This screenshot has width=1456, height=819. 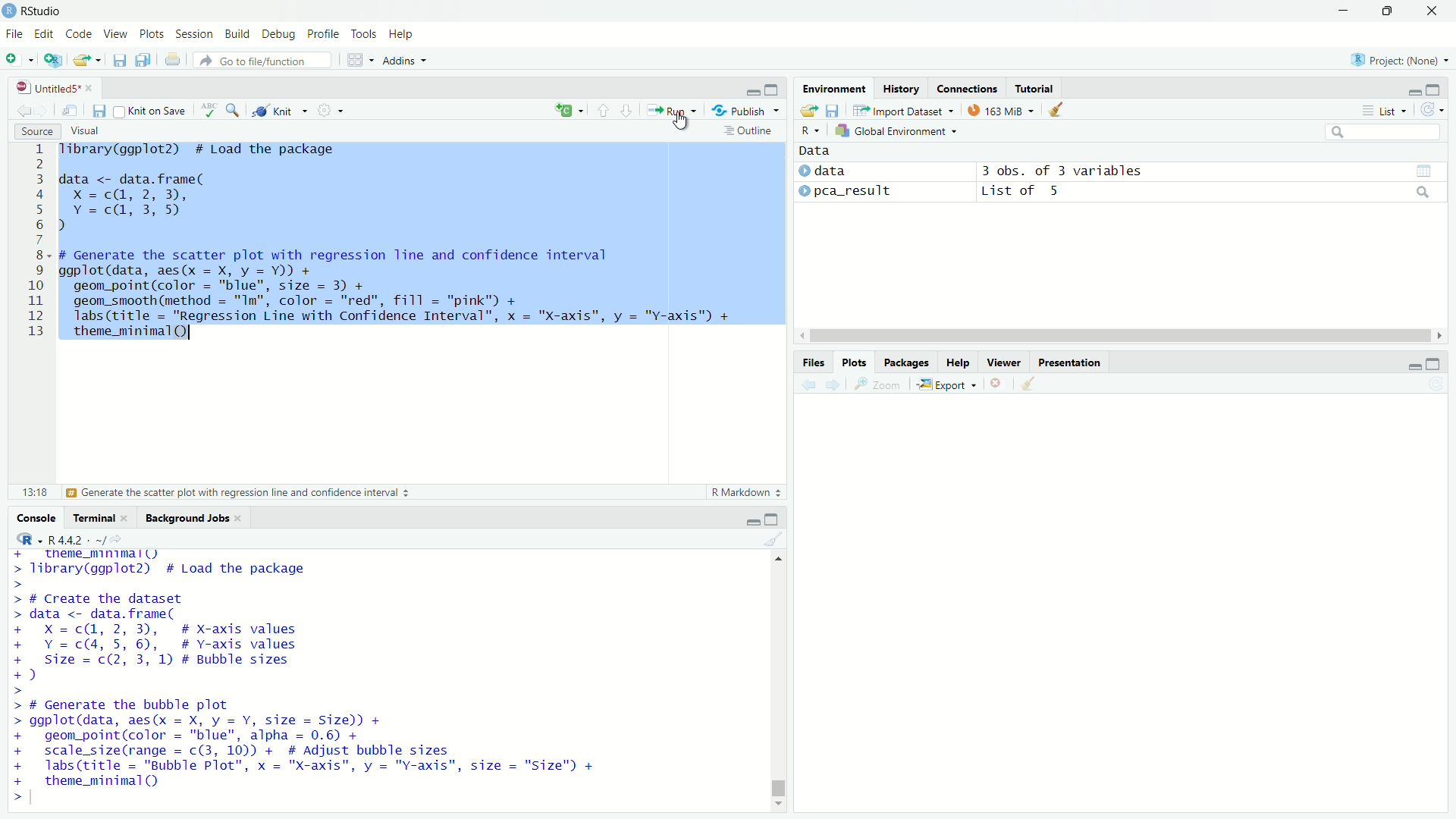 I want to click on Debug, so click(x=278, y=34).